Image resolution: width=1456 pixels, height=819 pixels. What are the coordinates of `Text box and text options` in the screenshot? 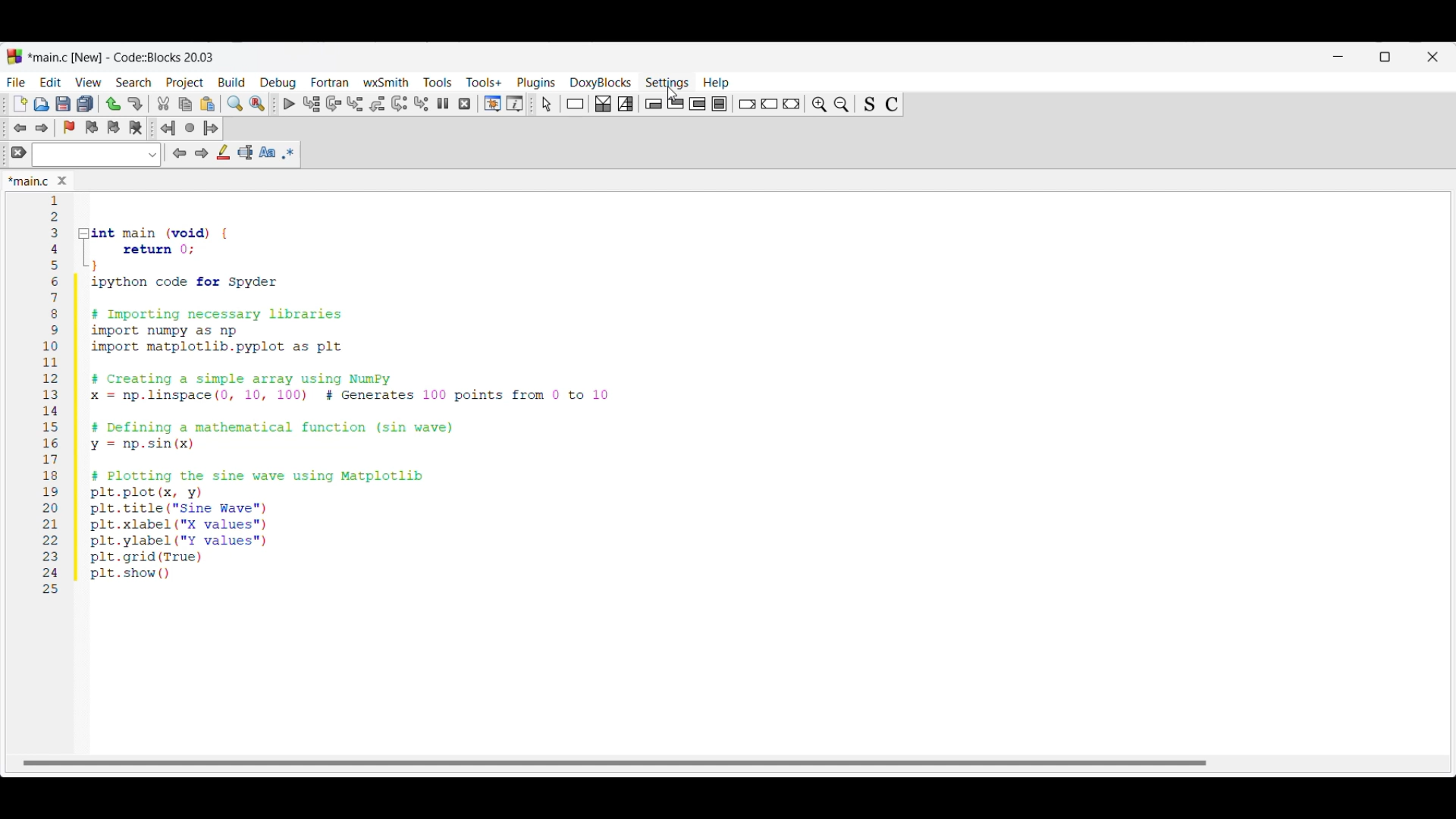 It's located at (96, 155).